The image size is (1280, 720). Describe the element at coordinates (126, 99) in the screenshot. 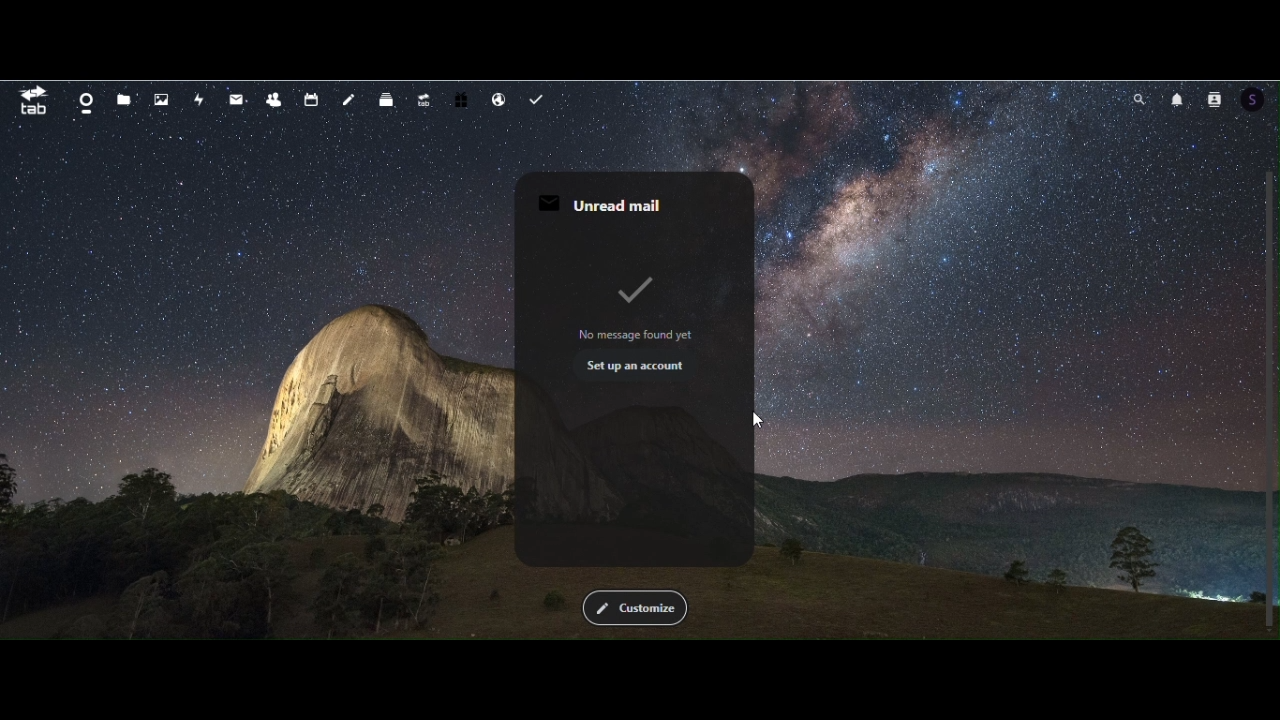

I see `Files` at that location.